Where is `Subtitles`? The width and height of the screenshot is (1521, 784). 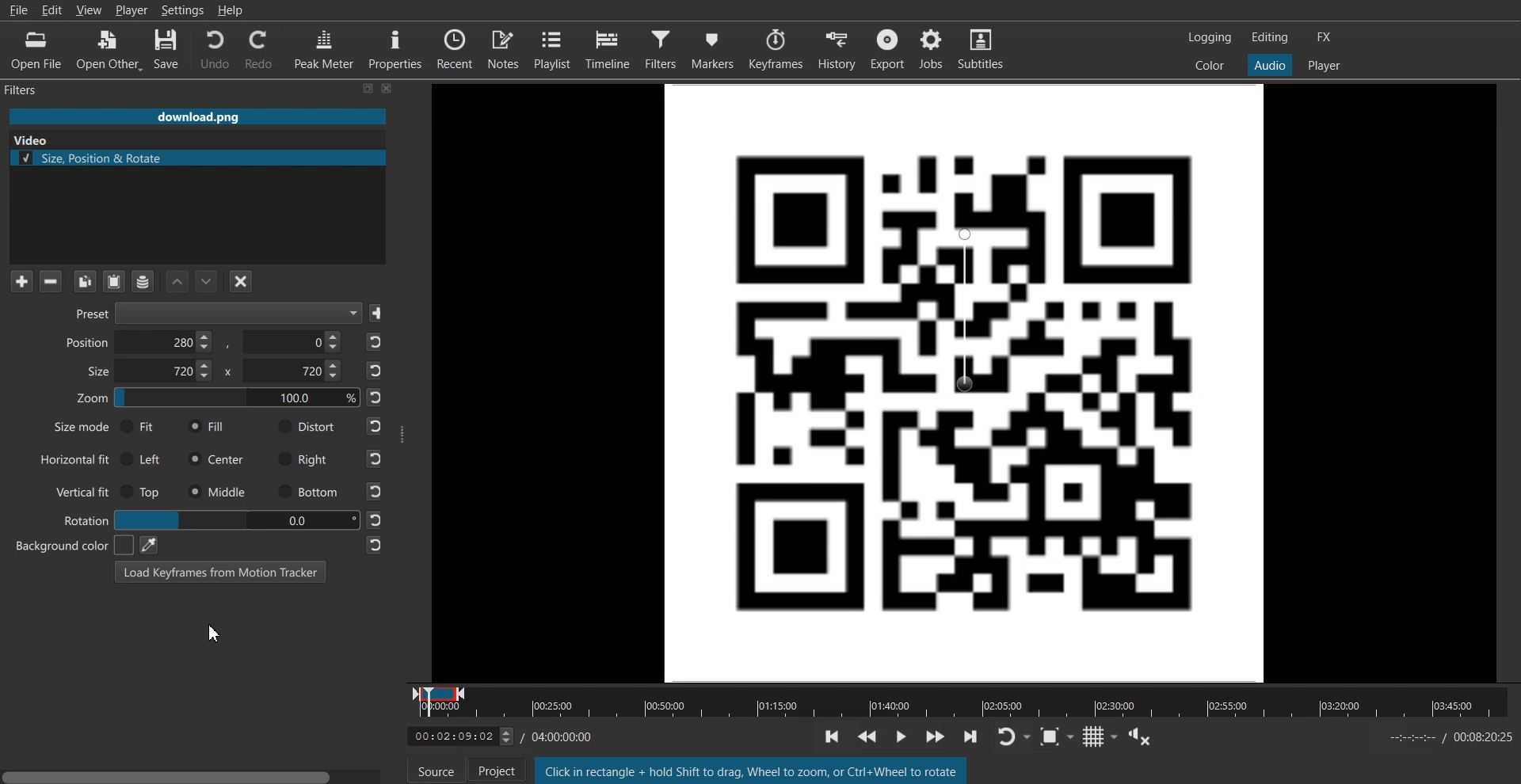 Subtitles is located at coordinates (982, 47).